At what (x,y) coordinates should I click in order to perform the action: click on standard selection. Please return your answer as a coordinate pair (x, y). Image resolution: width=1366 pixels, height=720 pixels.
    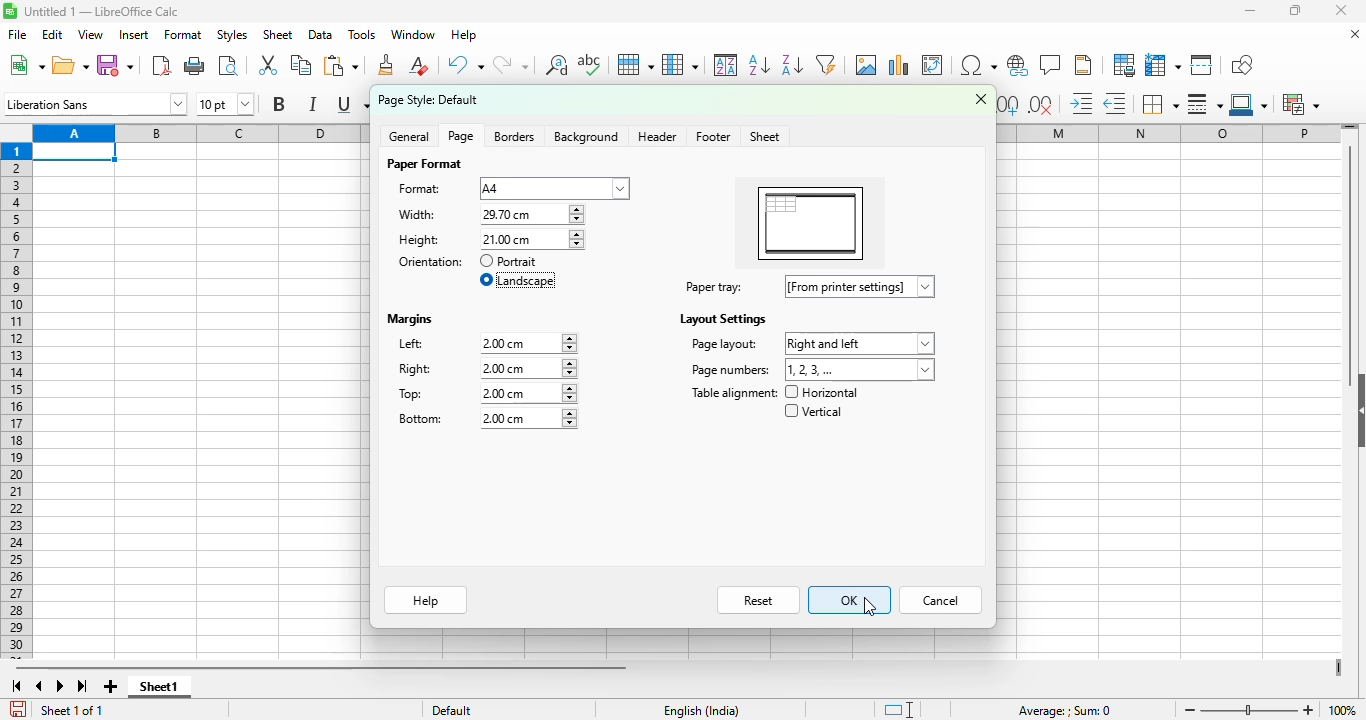
    Looking at the image, I should click on (897, 709).